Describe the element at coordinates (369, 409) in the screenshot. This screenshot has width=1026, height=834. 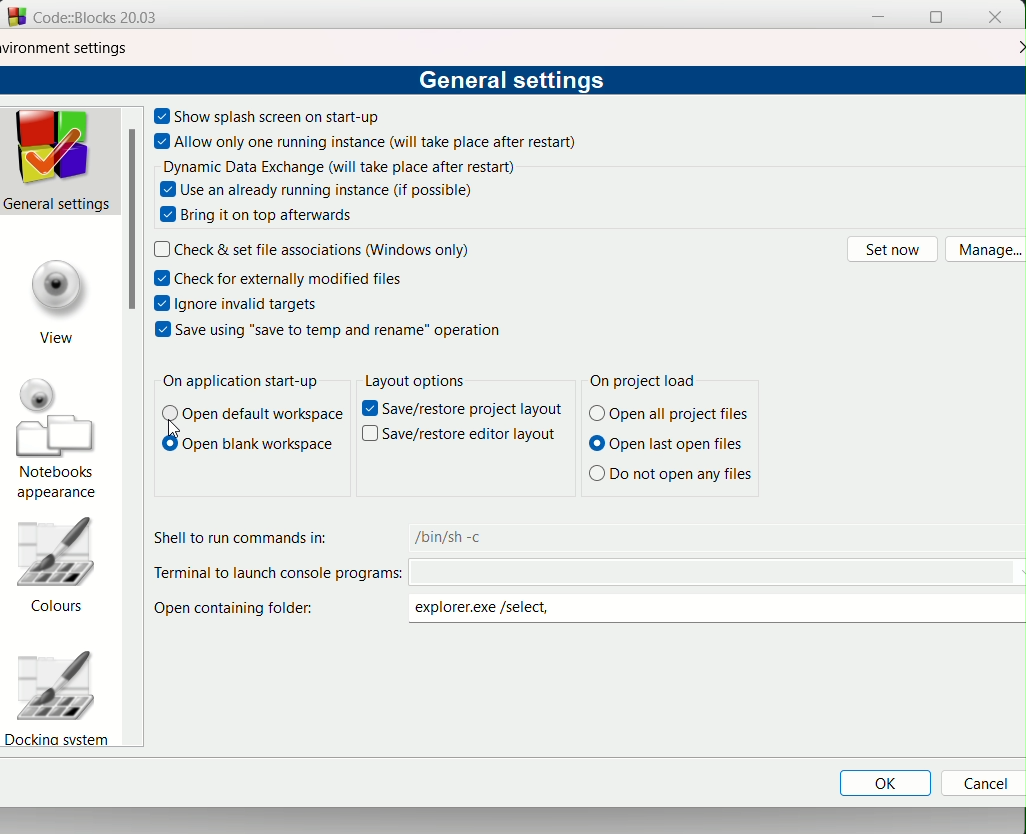
I see `text` at that location.